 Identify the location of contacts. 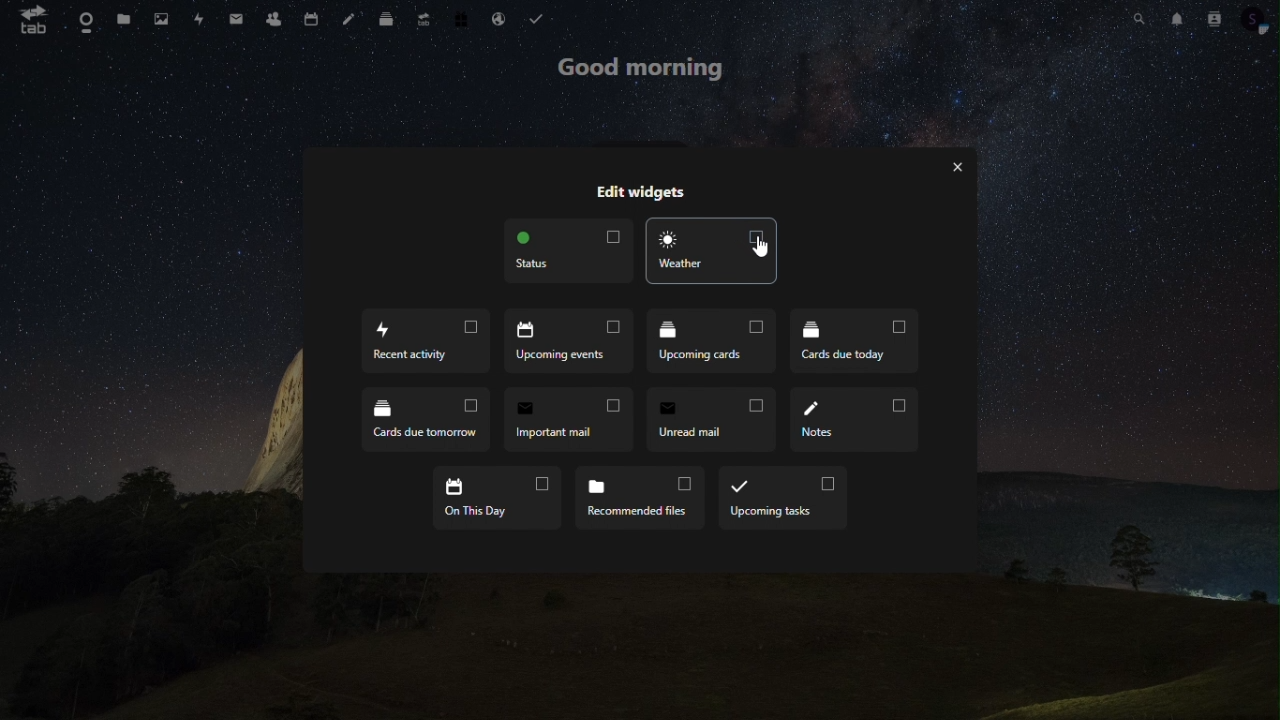
(273, 21).